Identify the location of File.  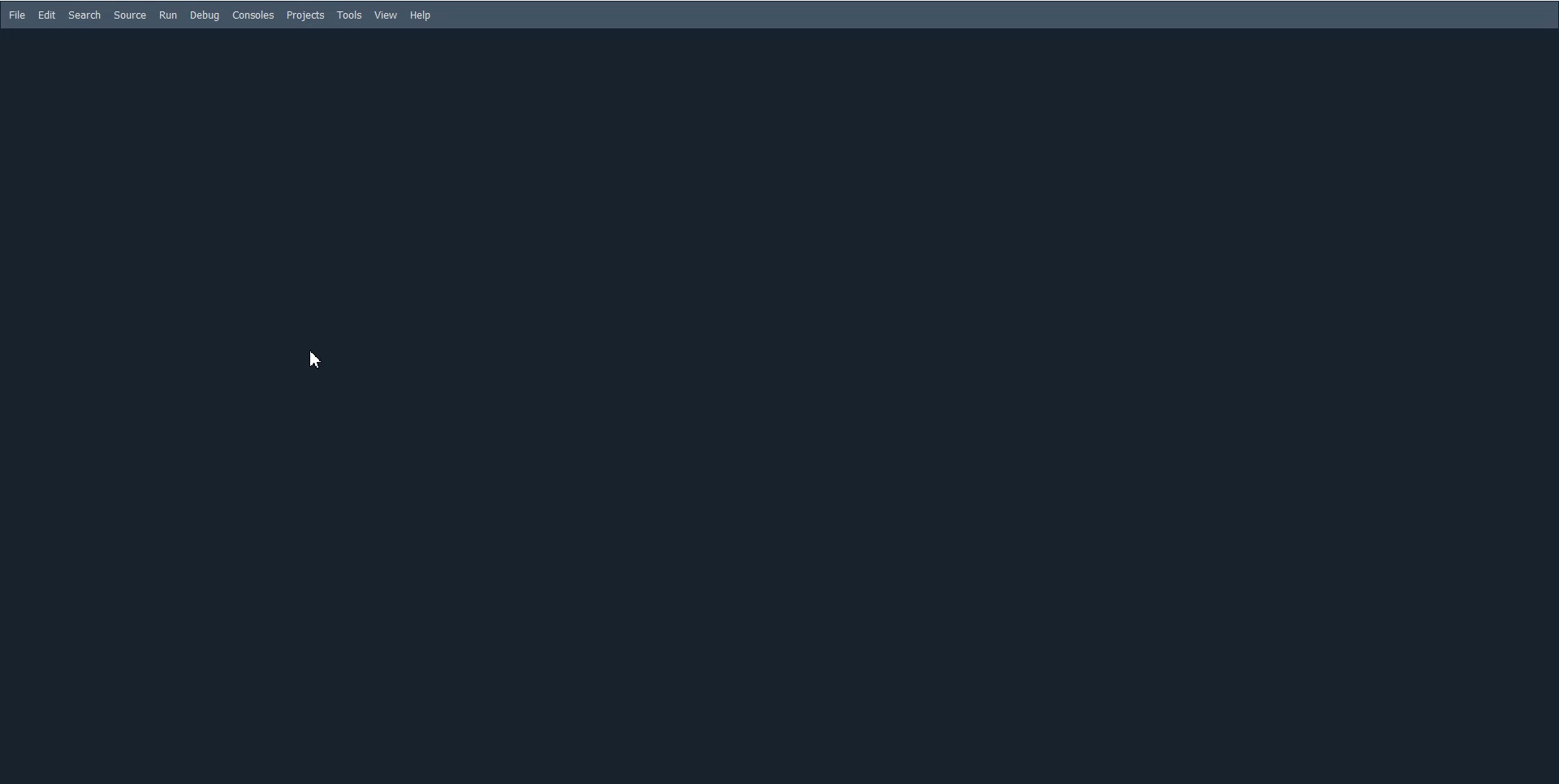
(16, 15).